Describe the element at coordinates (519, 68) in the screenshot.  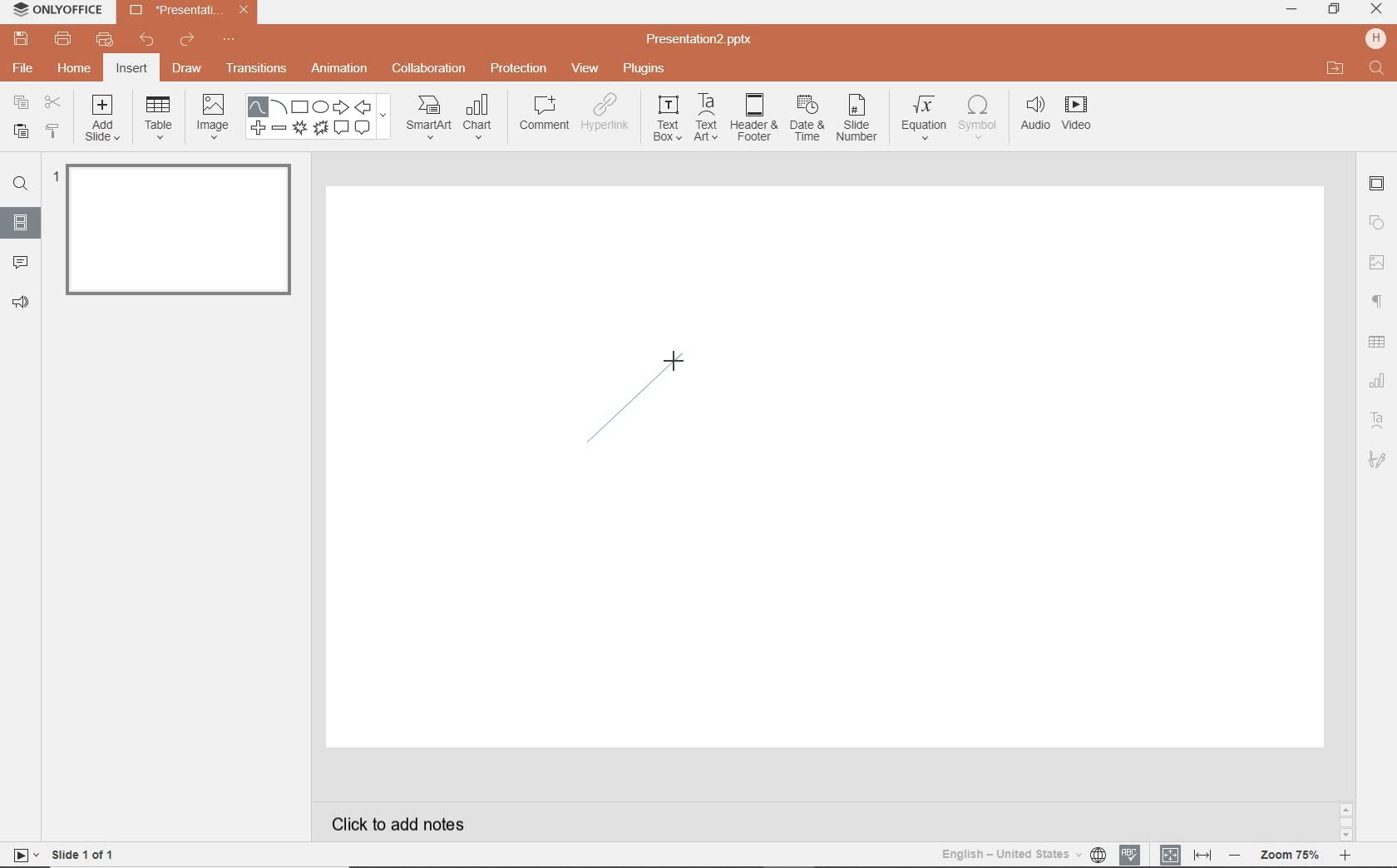
I see `PROTECTION` at that location.